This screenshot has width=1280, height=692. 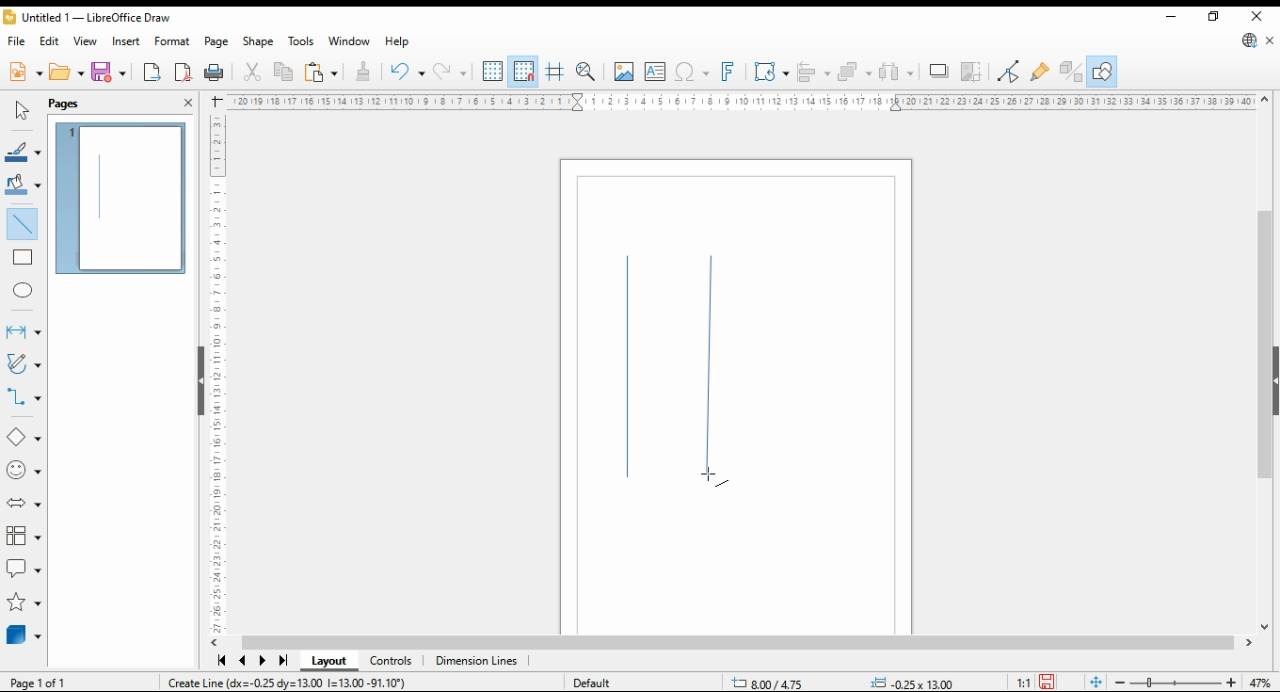 I want to click on libreoffice update, so click(x=1248, y=41).